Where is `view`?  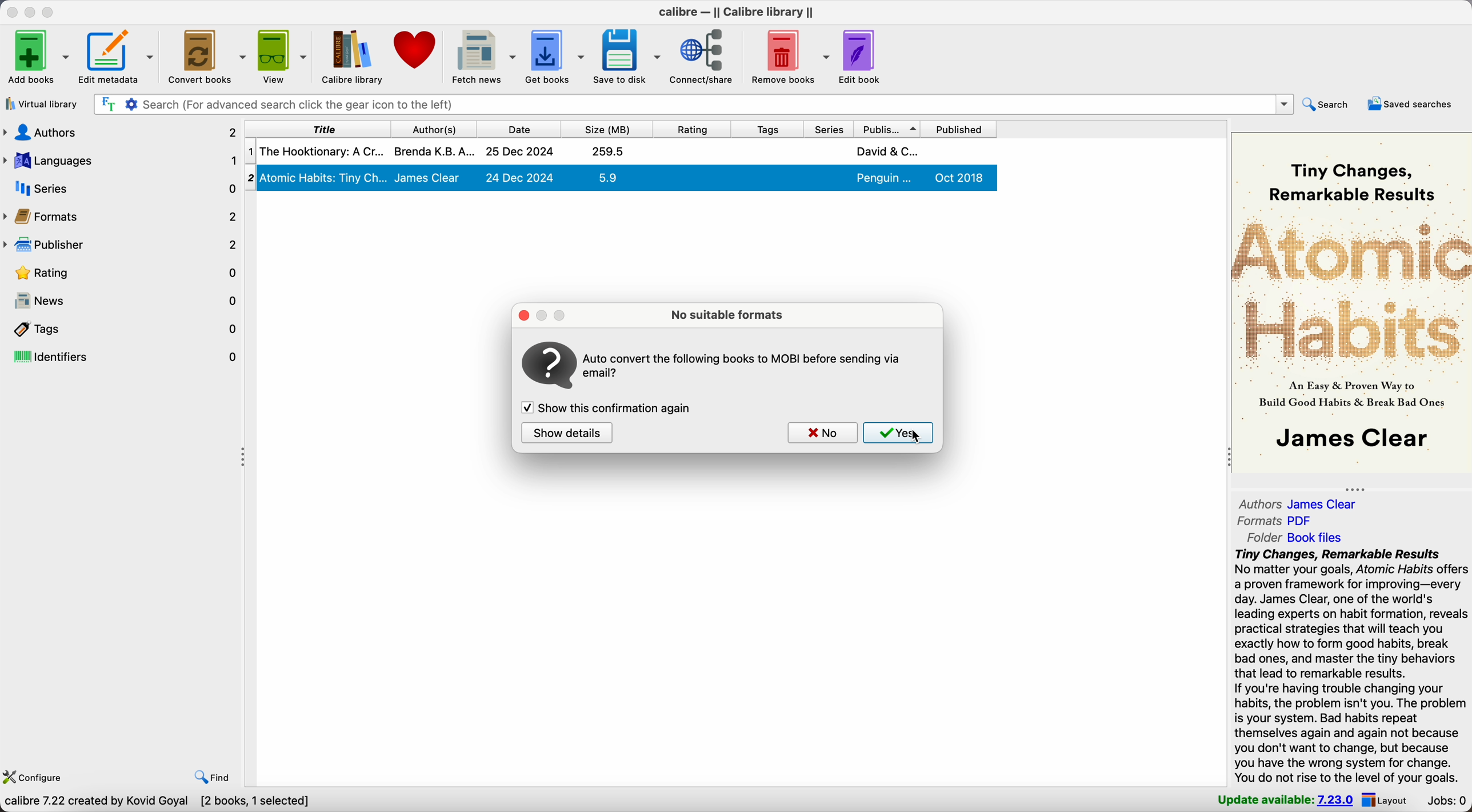
view is located at coordinates (283, 56).